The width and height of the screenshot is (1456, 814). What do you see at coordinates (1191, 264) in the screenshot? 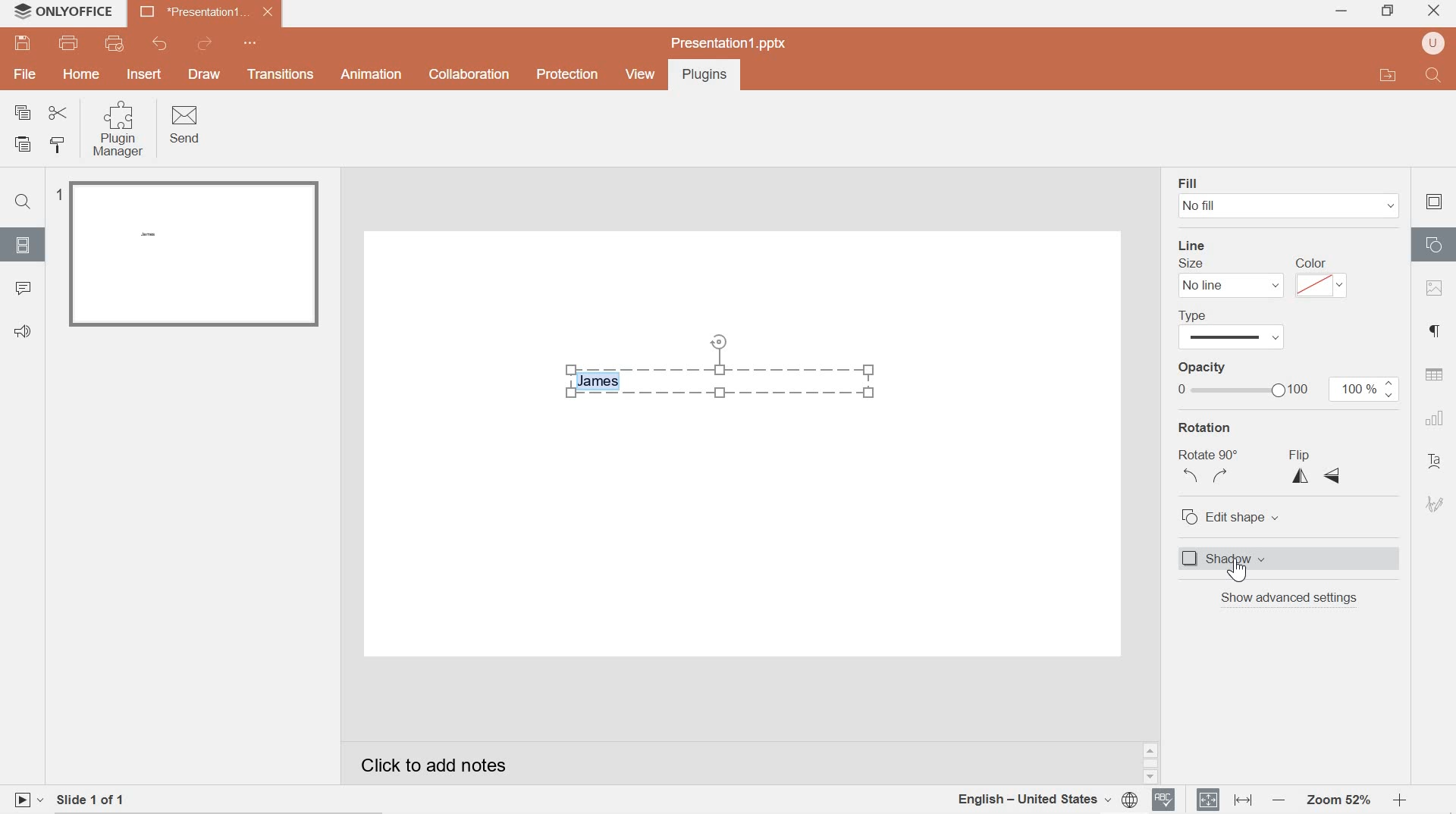
I see `Size` at bounding box center [1191, 264].